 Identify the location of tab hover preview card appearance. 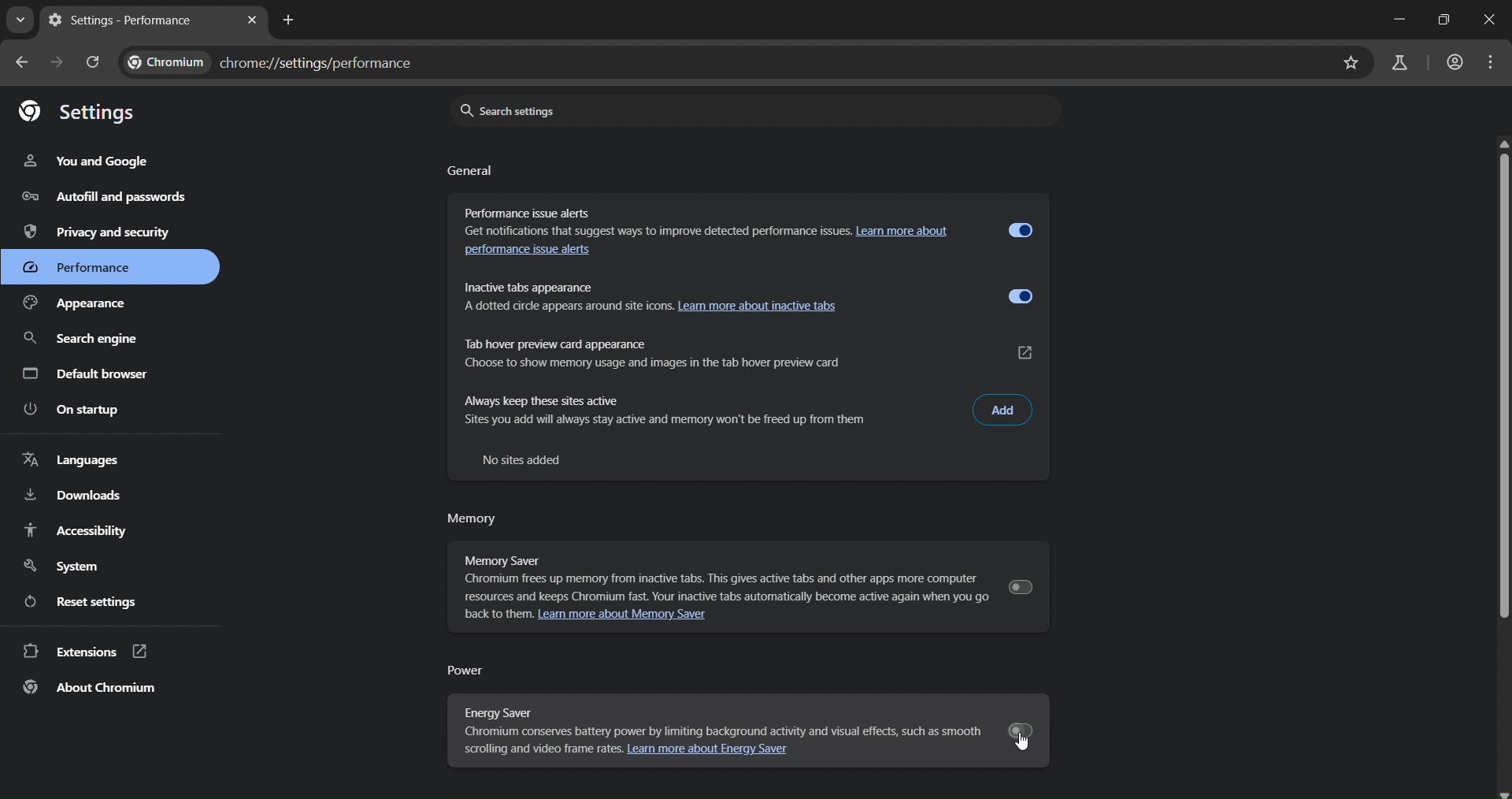
(709, 349).